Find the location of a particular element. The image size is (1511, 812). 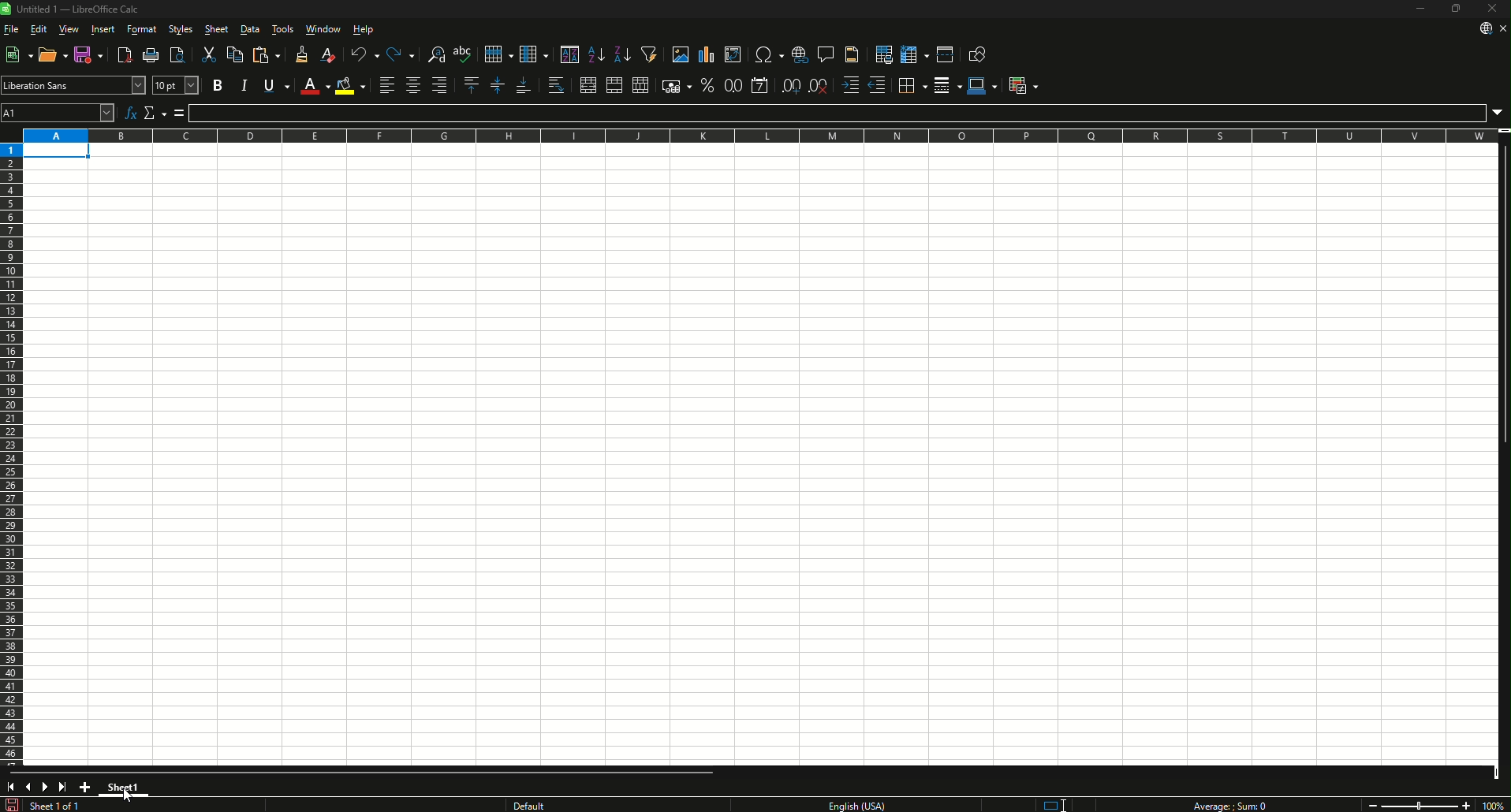

Insert Hyperlink is located at coordinates (800, 54).